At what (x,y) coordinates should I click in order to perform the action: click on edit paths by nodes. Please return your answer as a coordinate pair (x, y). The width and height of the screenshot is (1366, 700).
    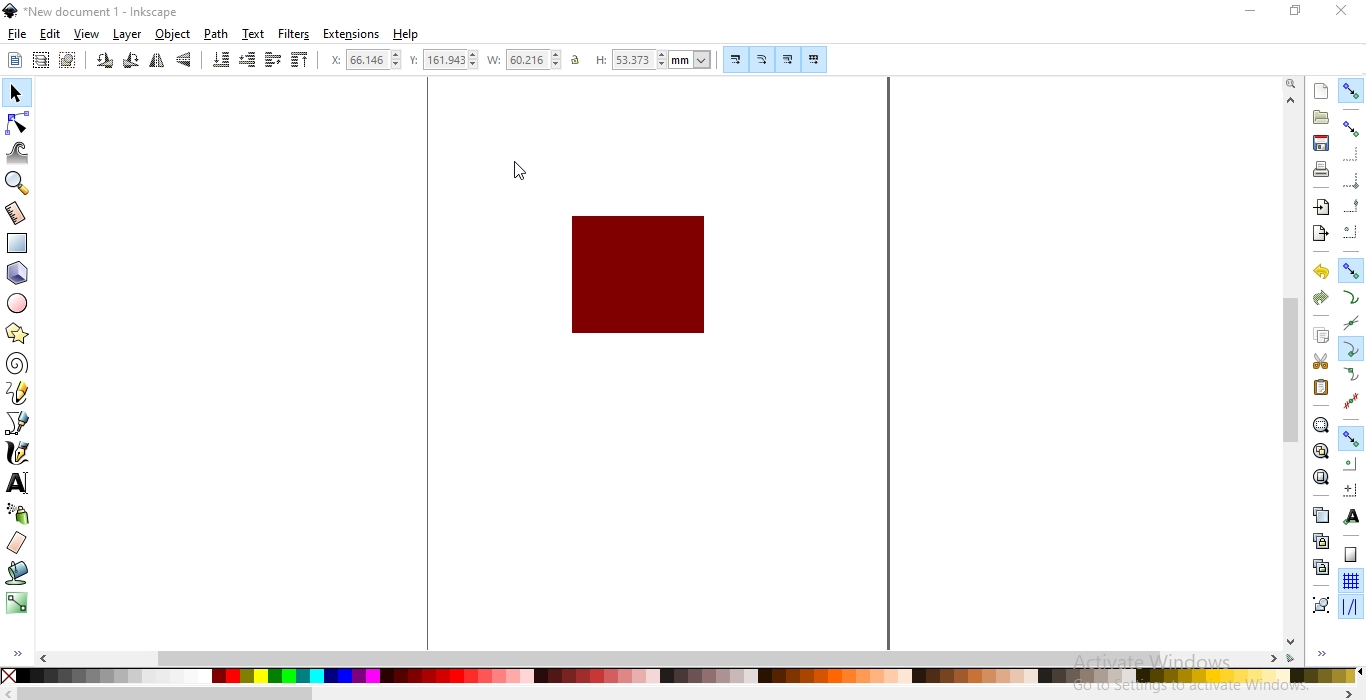
    Looking at the image, I should click on (18, 122).